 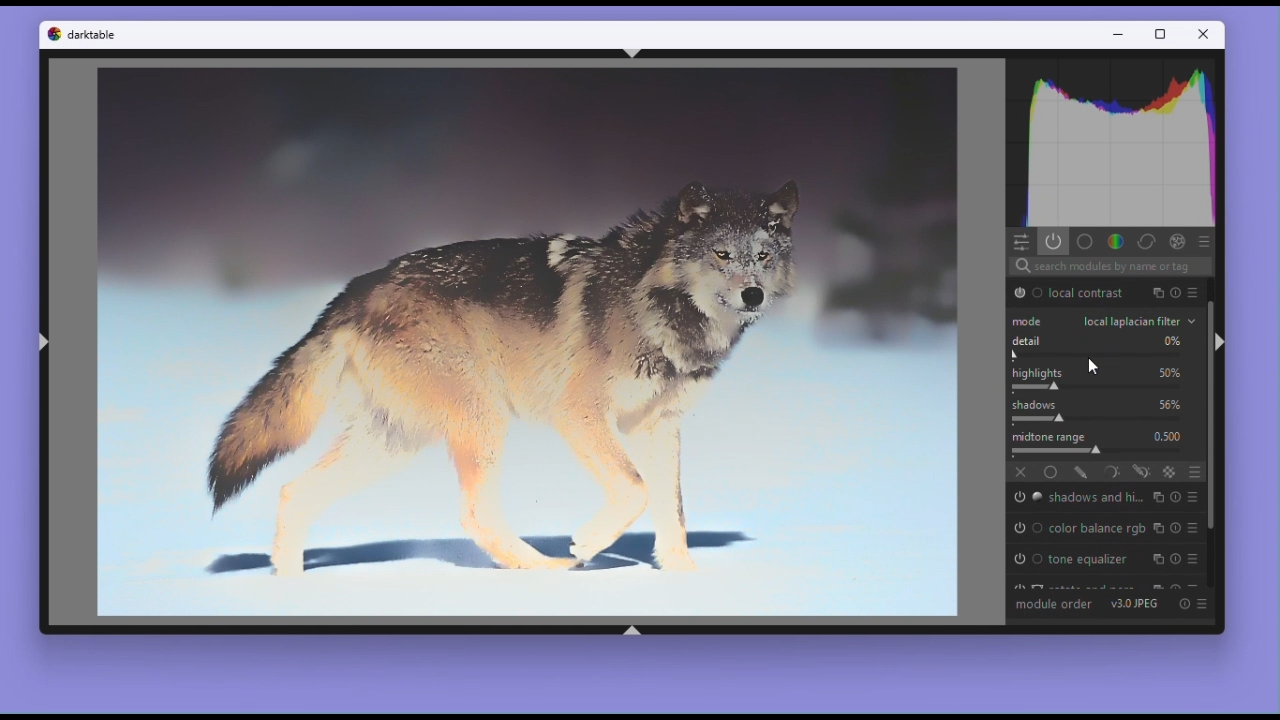 I want to click on 50%, so click(x=1168, y=371).